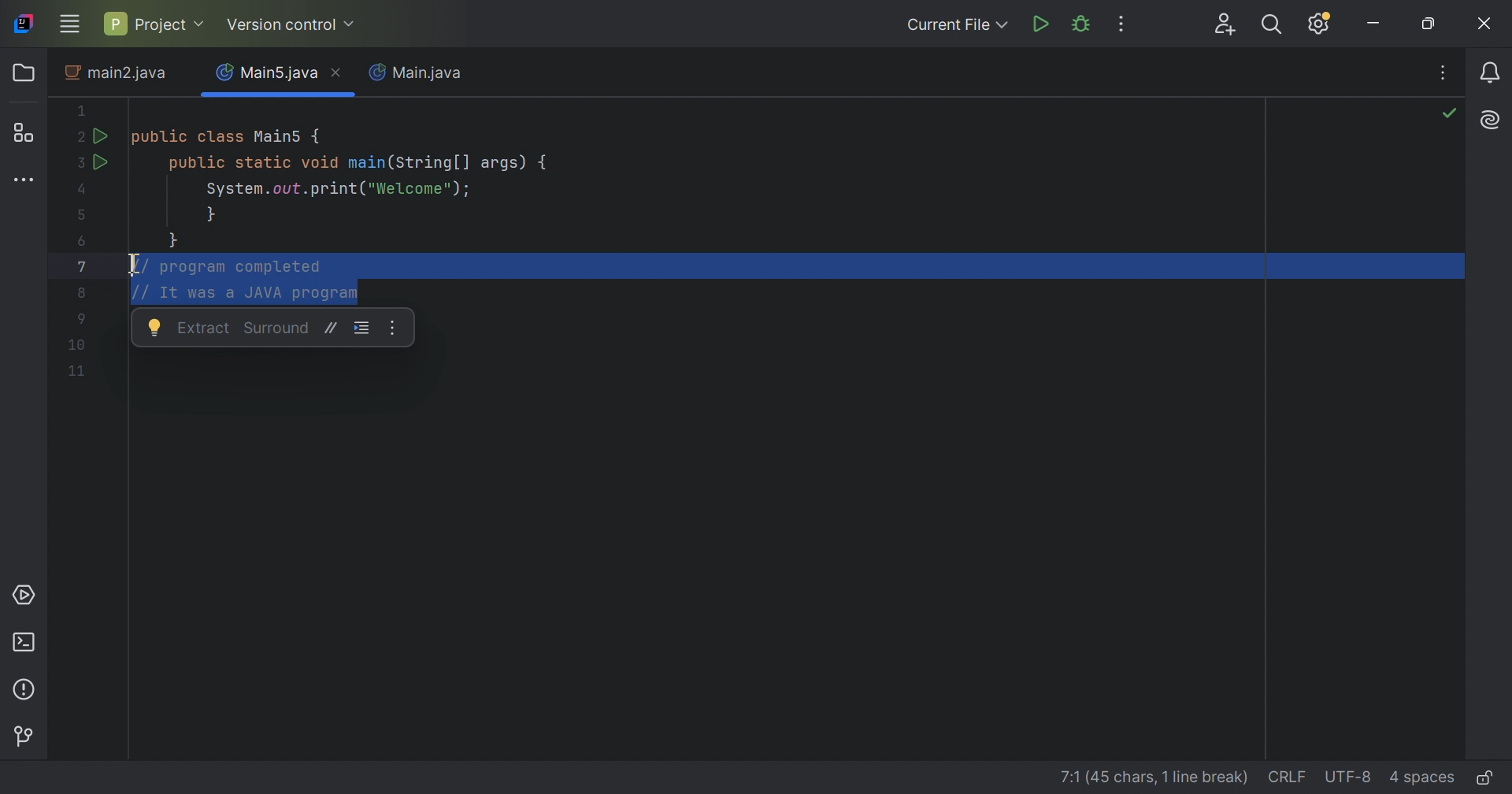 The image size is (1512, 794). Describe the element at coordinates (1043, 24) in the screenshot. I see `Run` at that location.